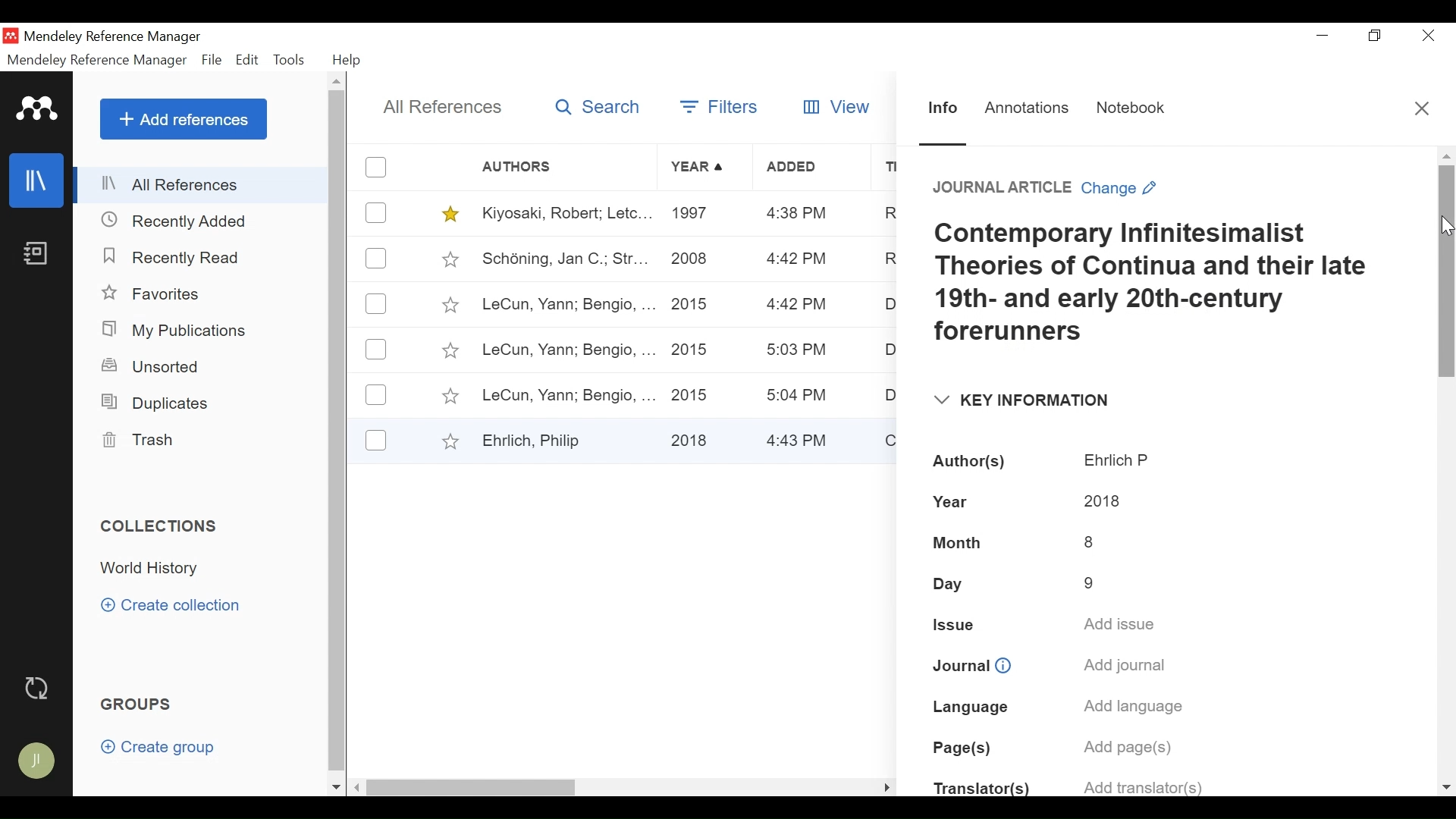  Describe the element at coordinates (34, 257) in the screenshot. I see `Notebook` at that location.